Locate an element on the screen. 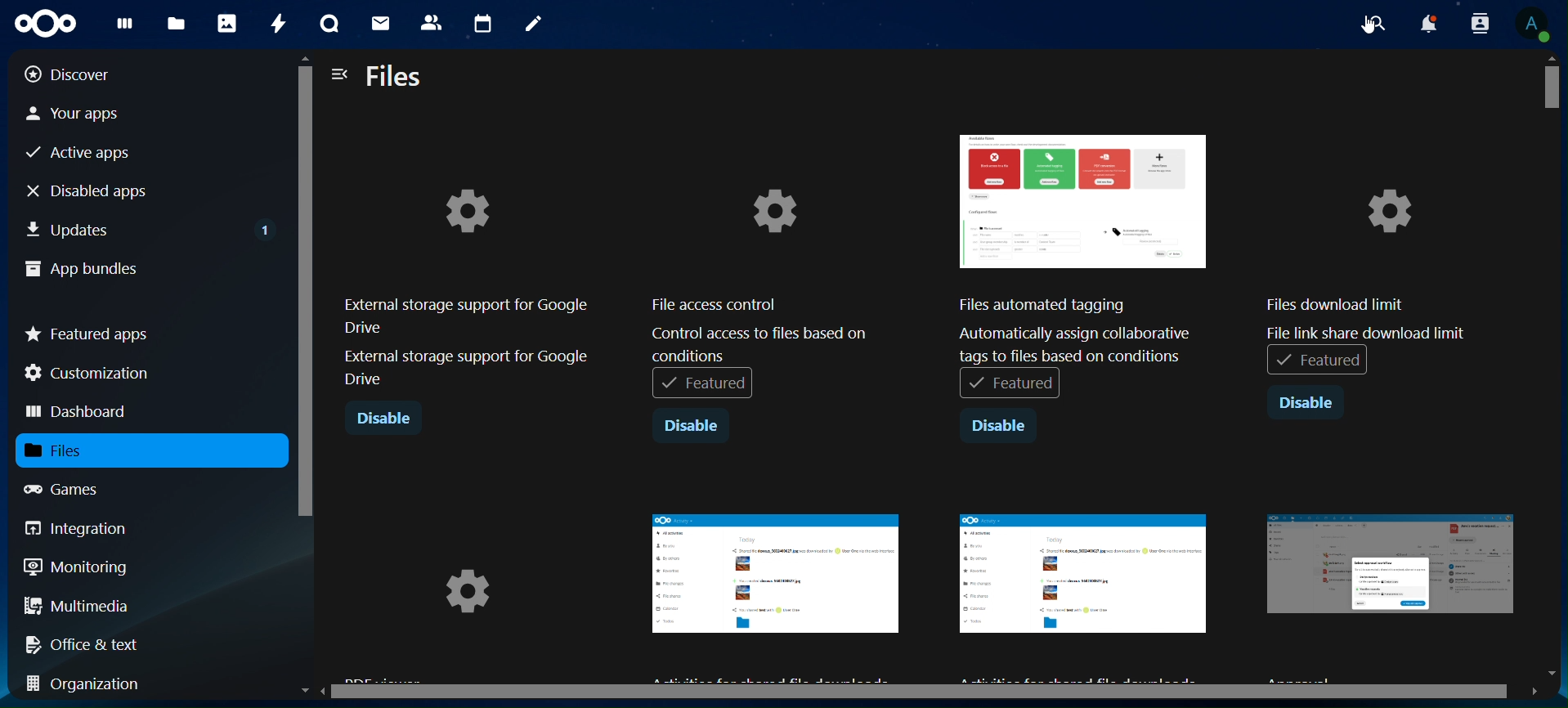 The height and width of the screenshot is (708, 1568). scrollbar is located at coordinates (923, 692).